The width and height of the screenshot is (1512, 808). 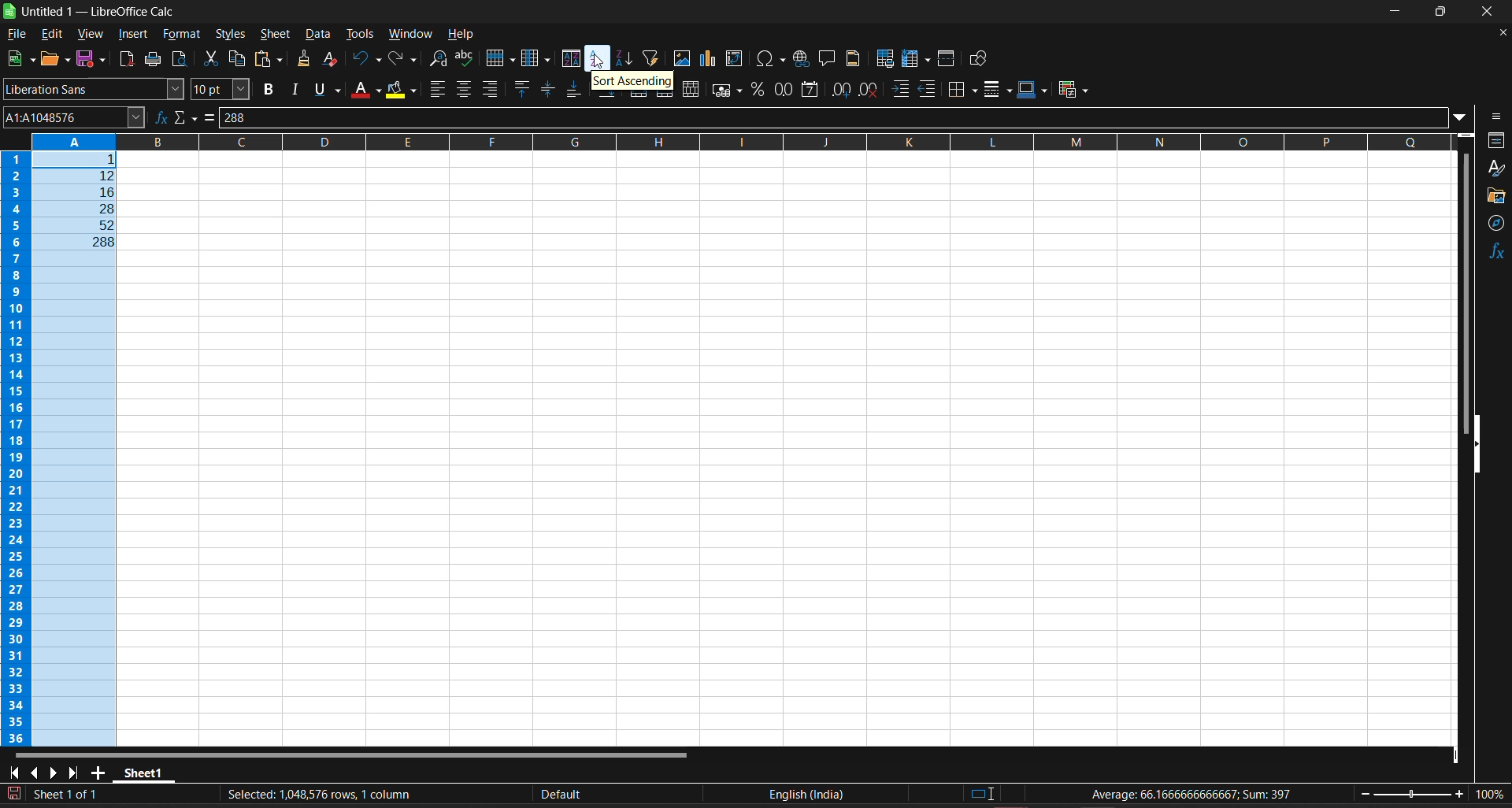 I want to click on redo, so click(x=401, y=59).